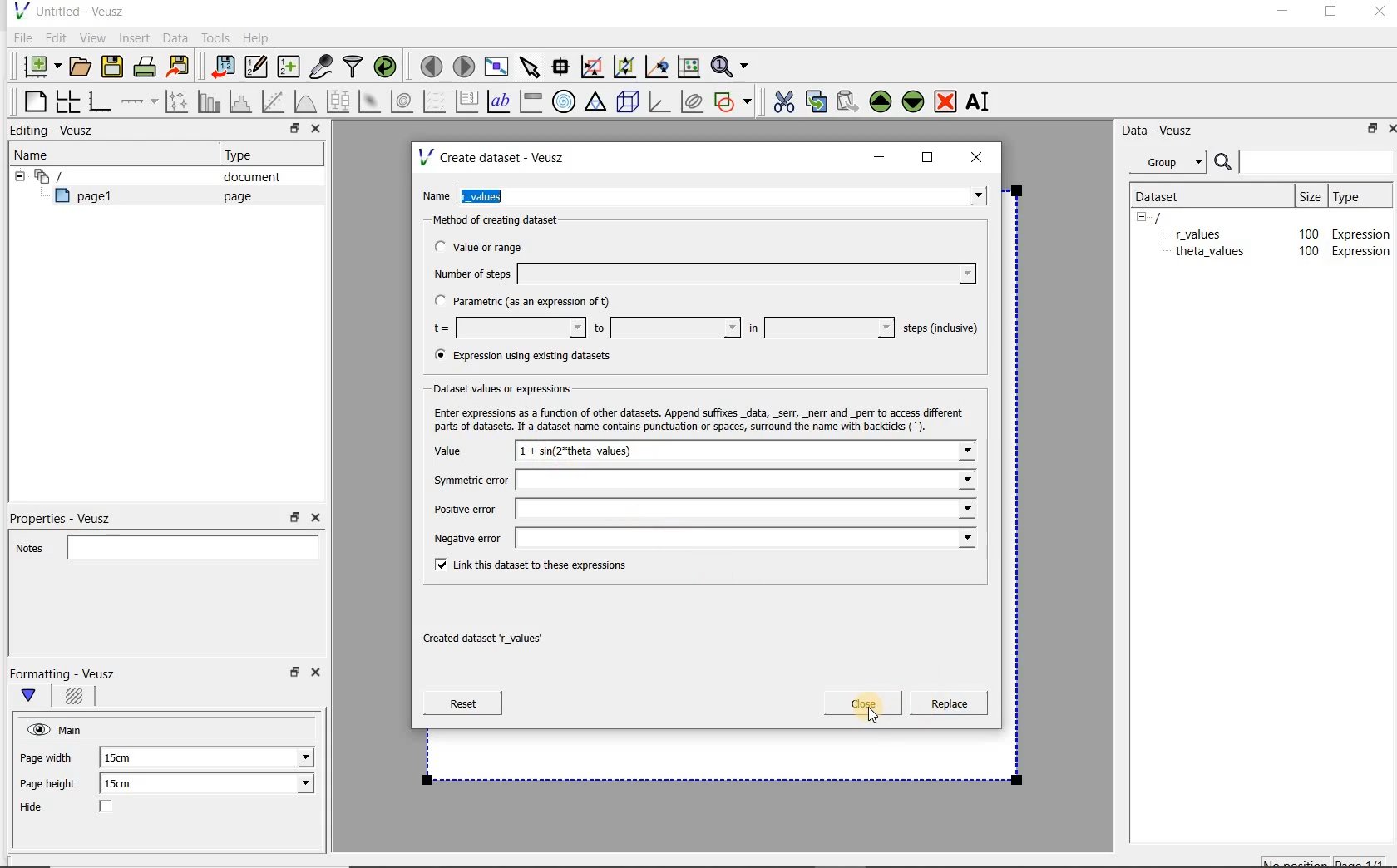 The image size is (1397, 868). What do you see at coordinates (462, 703) in the screenshot?
I see `Reset` at bounding box center [462, 703].